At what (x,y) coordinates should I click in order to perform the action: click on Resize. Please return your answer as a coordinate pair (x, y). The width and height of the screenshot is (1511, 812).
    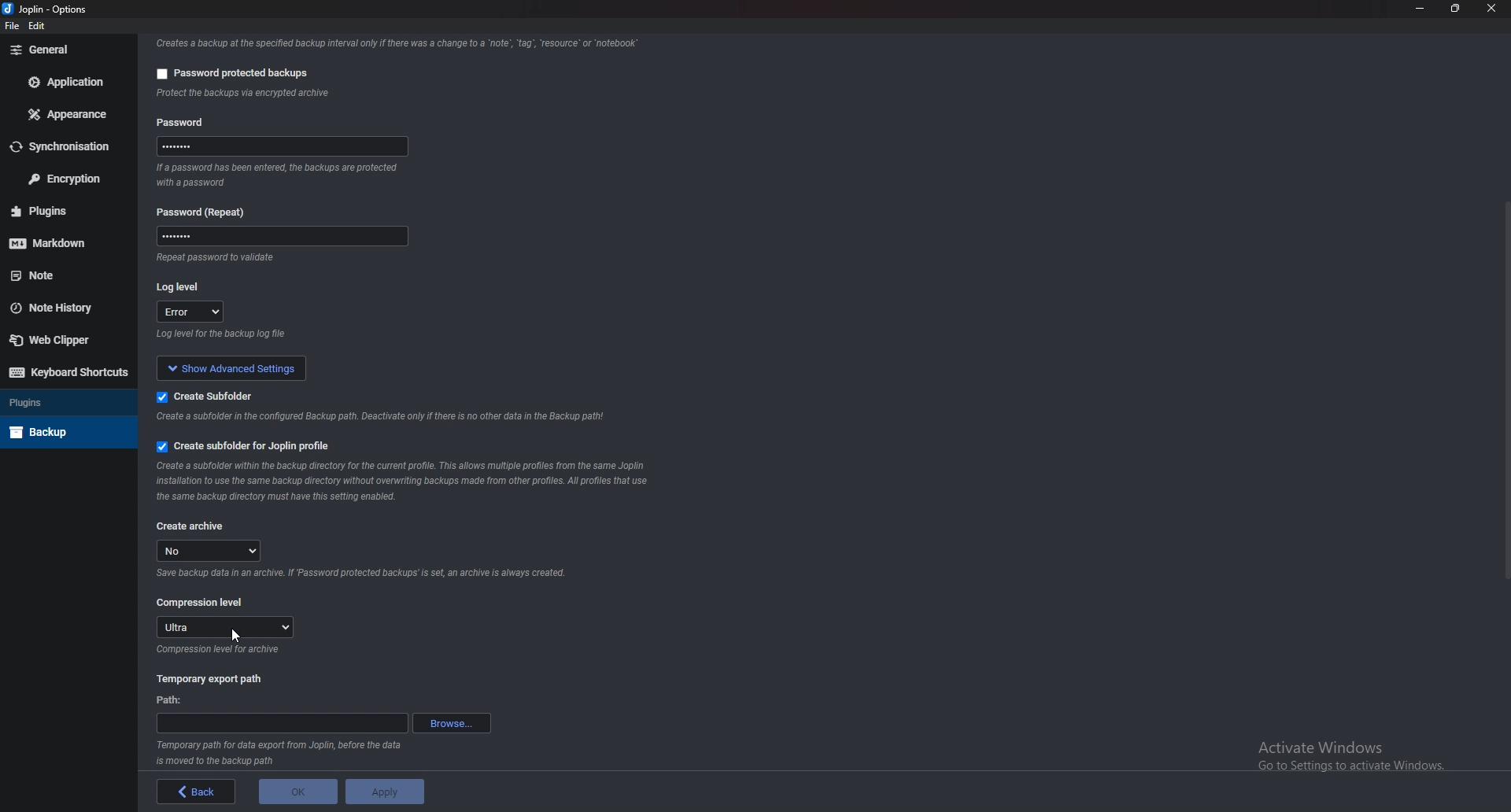
    Looking at the image, I should click on (1457, 8).